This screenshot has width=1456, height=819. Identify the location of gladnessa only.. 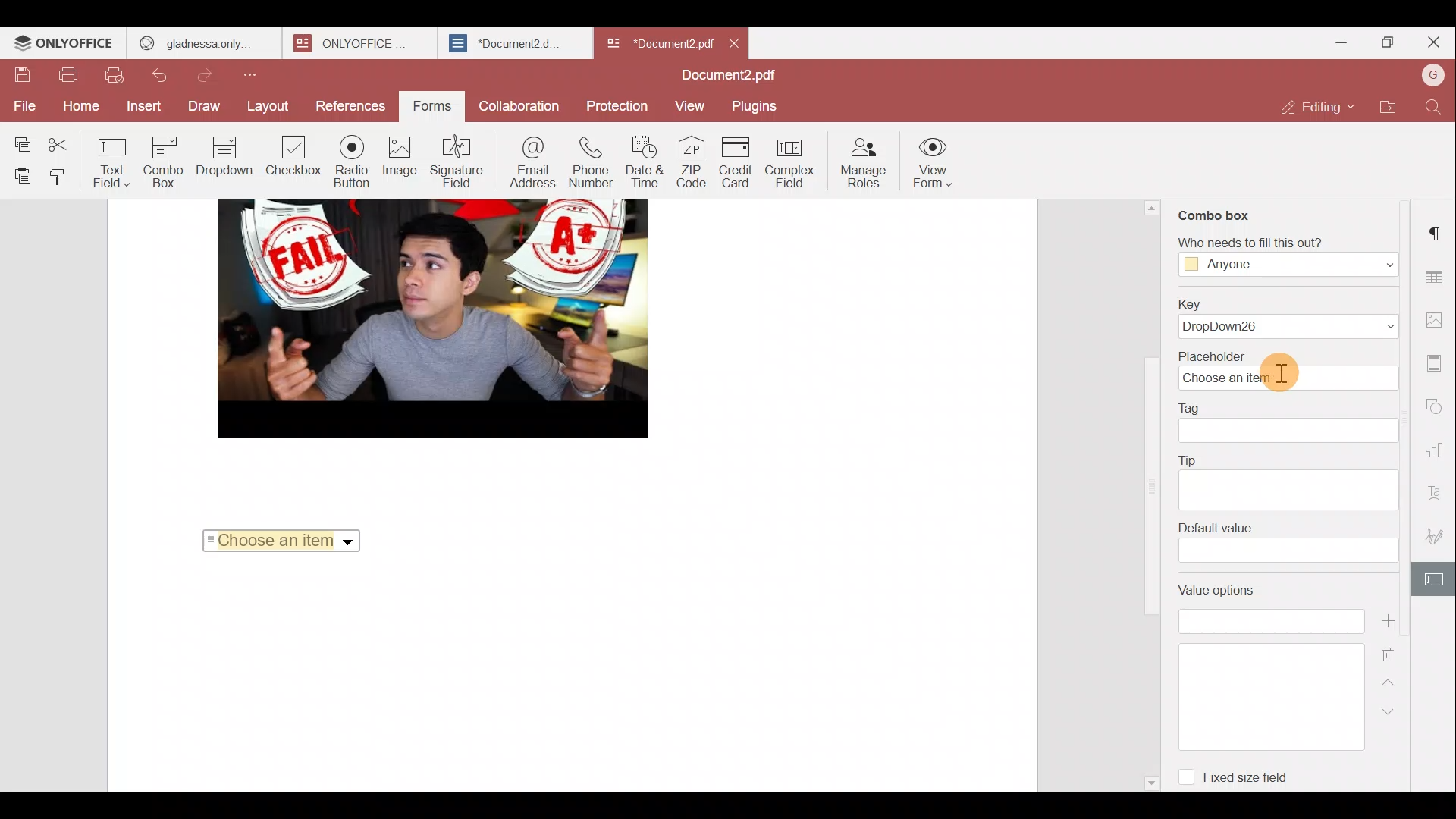
(196, 41).